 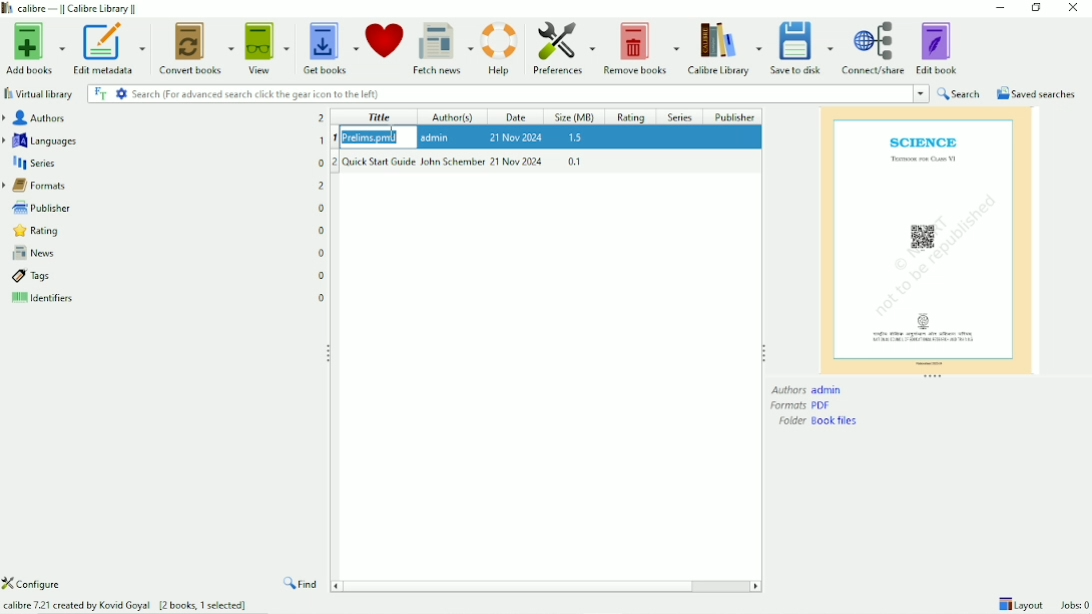 What do you see at coordinates (126, 603) in the screenshot?
I see `calibre 7.21 created by Kovid Goyal [2 books, 1 selected]` at bounding box center [126, 603].